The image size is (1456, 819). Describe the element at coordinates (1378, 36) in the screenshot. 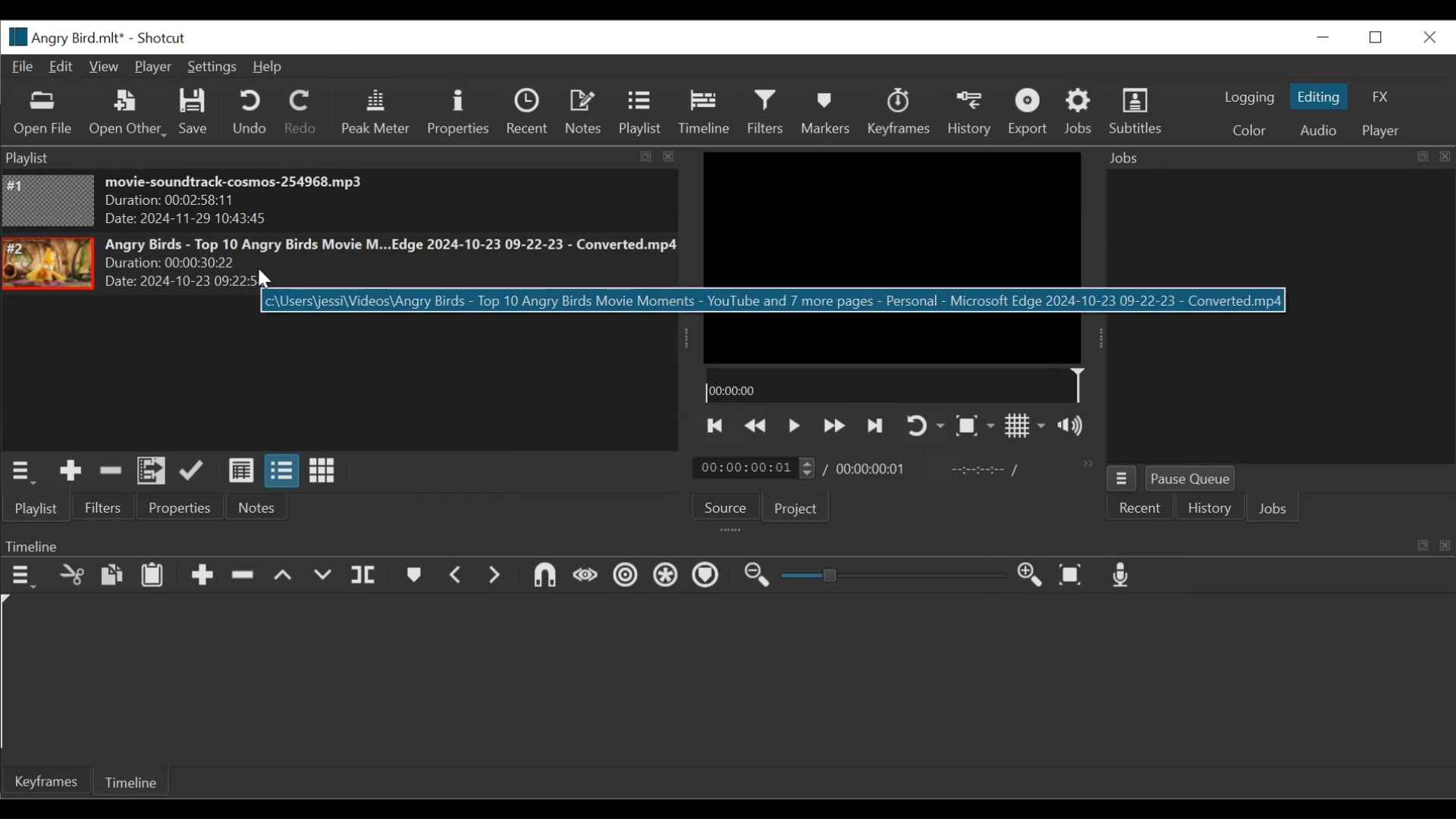

I see `Restore` at that location.